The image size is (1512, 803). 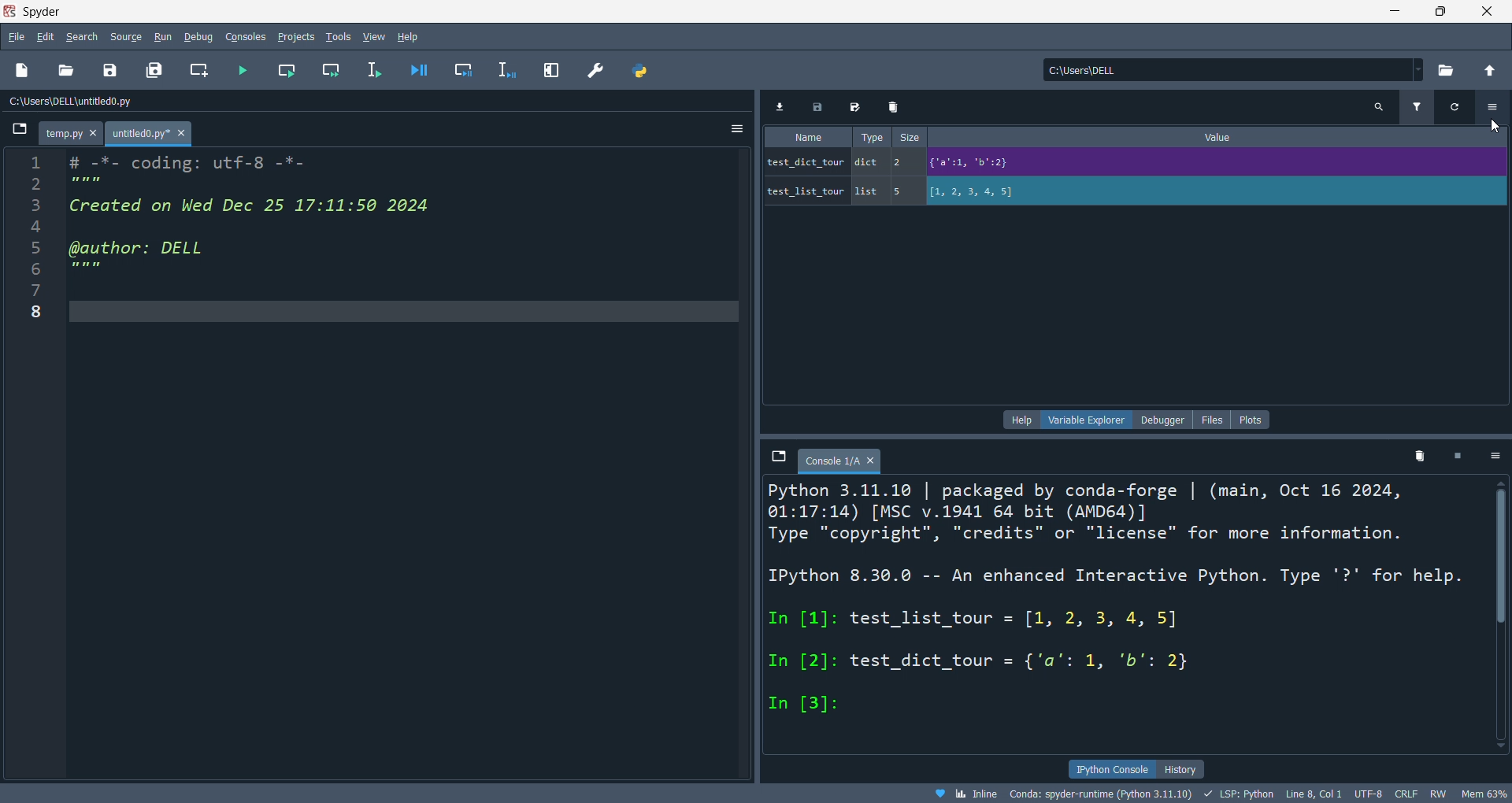 I want to click on browse tabs, so click(x=16, y=131).